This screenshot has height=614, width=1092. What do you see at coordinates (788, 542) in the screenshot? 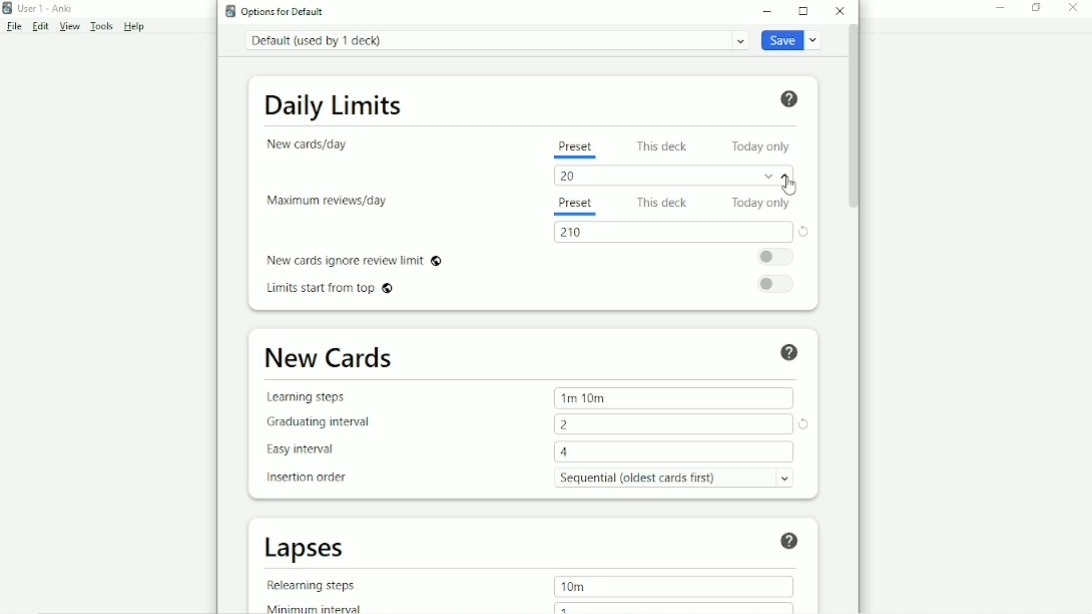
I see `Help` at bounding box center [788, 542].